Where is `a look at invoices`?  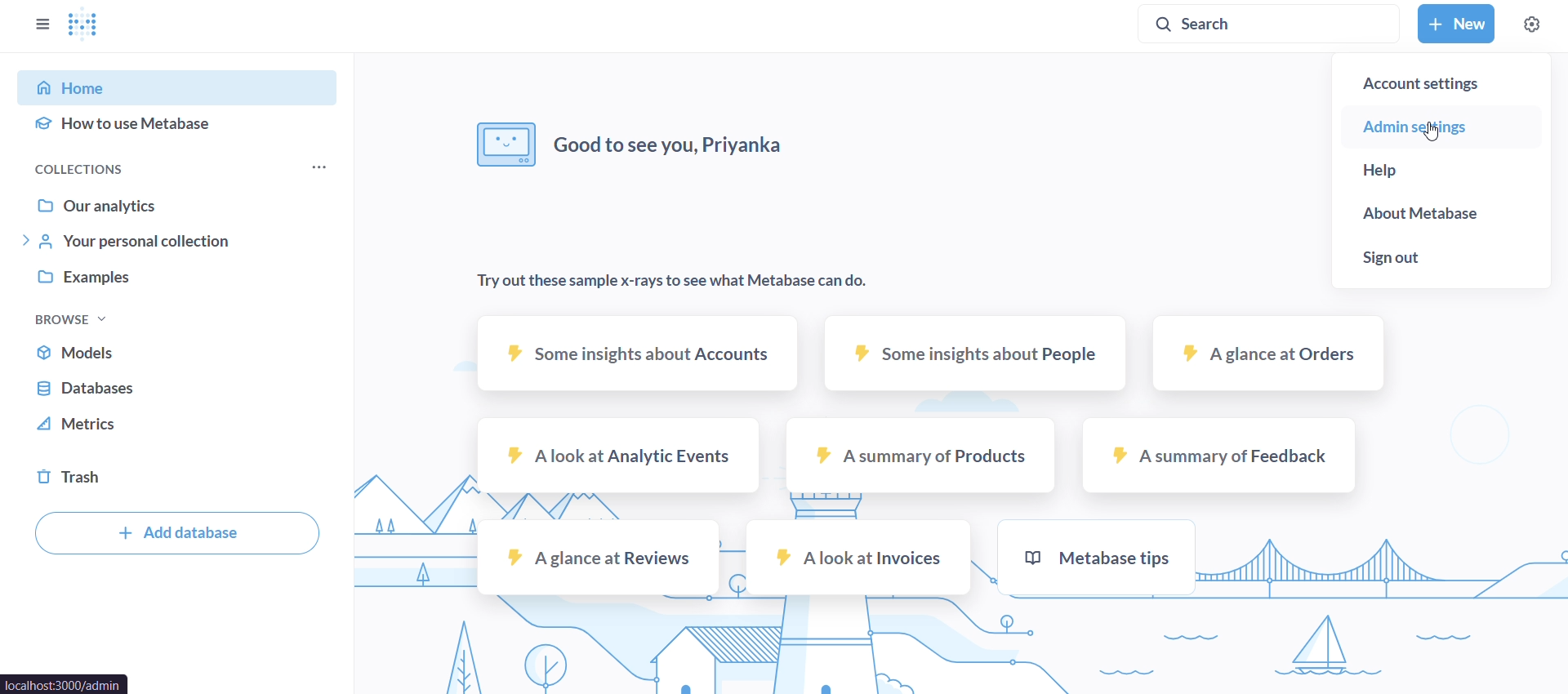
a look at invoices is located at coordinates (857, 558).